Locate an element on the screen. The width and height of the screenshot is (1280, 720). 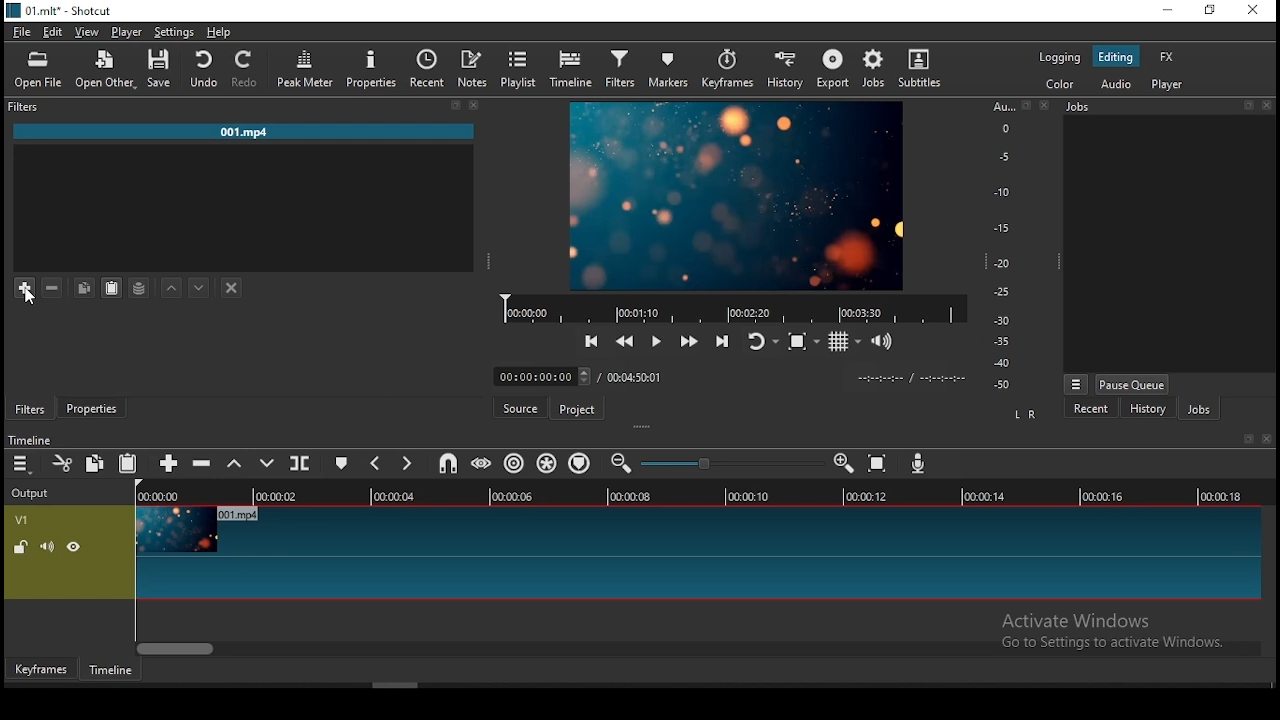
scroll is located at coordinates (643, 685).